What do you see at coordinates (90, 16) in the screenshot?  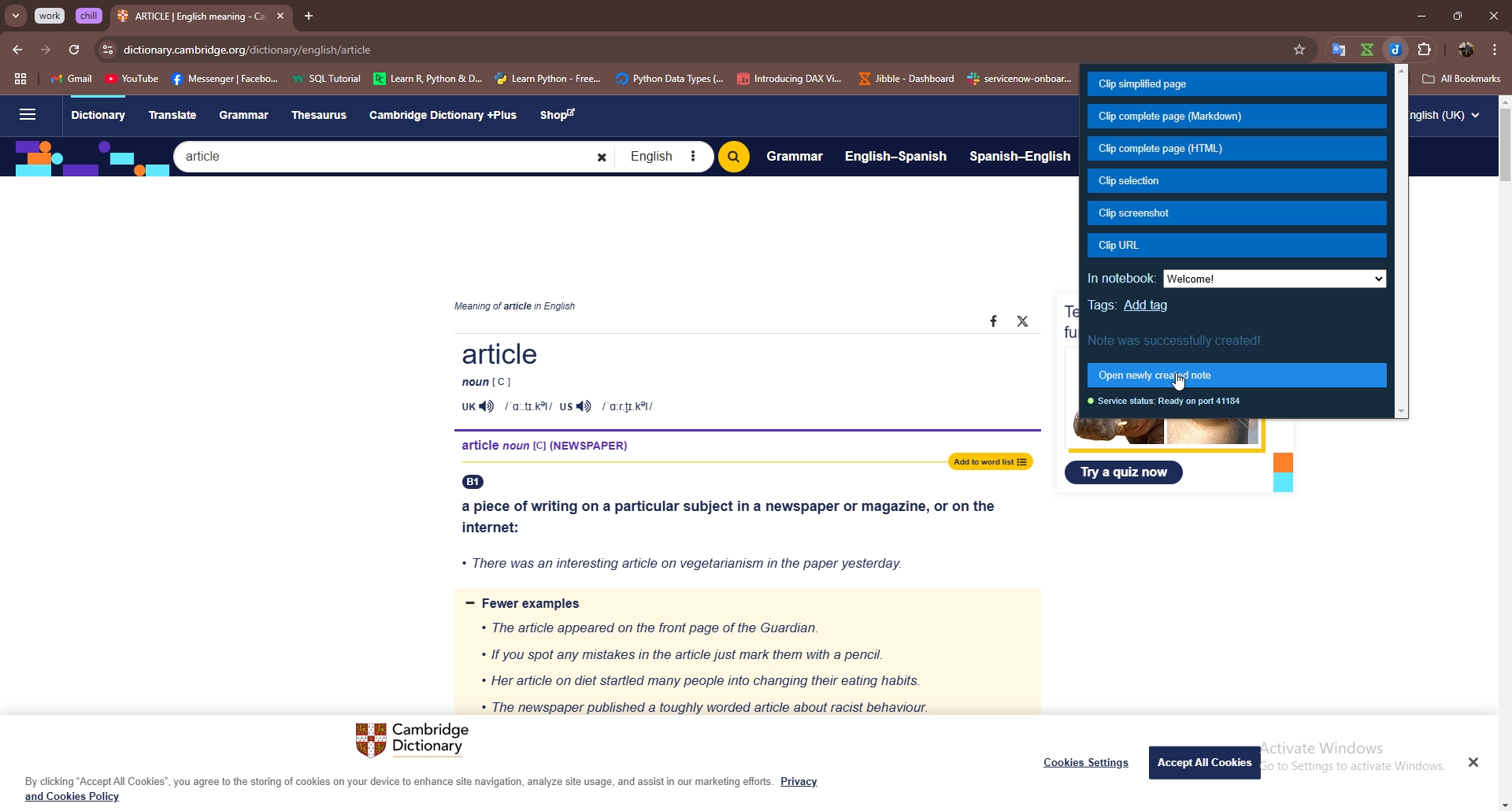 I see `grouped tab` at bounding box center [90, 16].